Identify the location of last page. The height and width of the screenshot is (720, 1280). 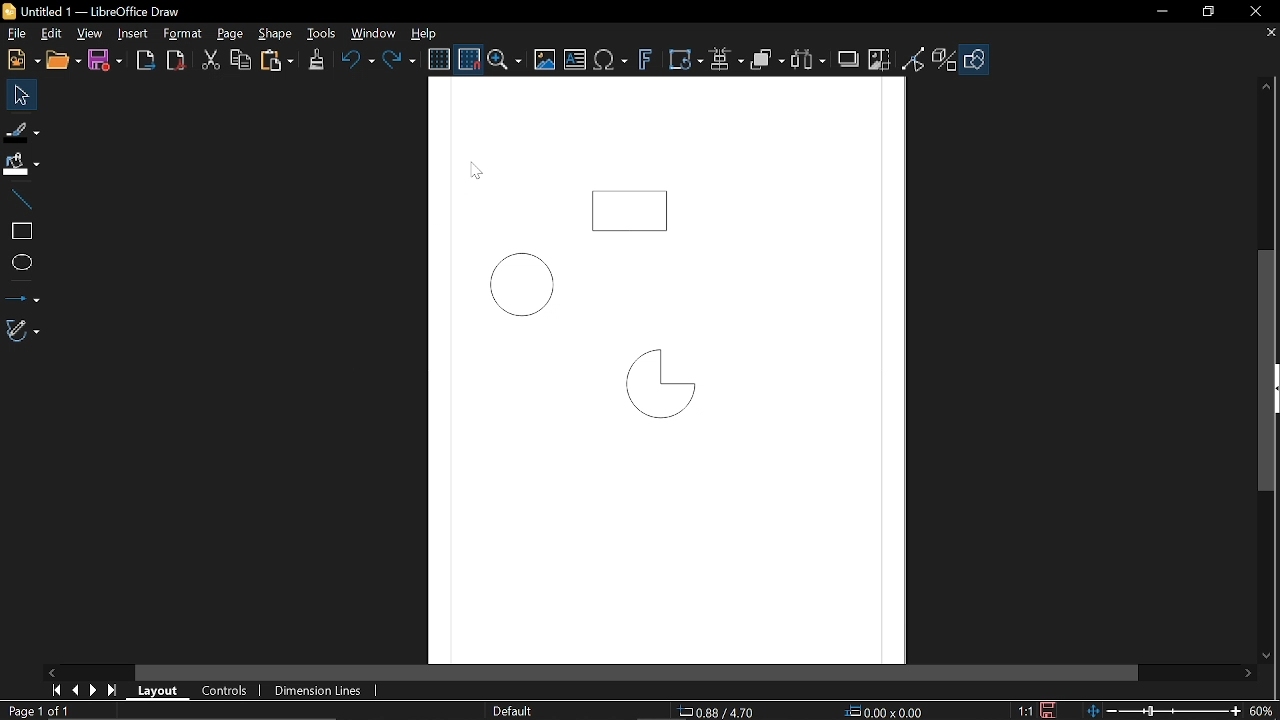
(110, 690).